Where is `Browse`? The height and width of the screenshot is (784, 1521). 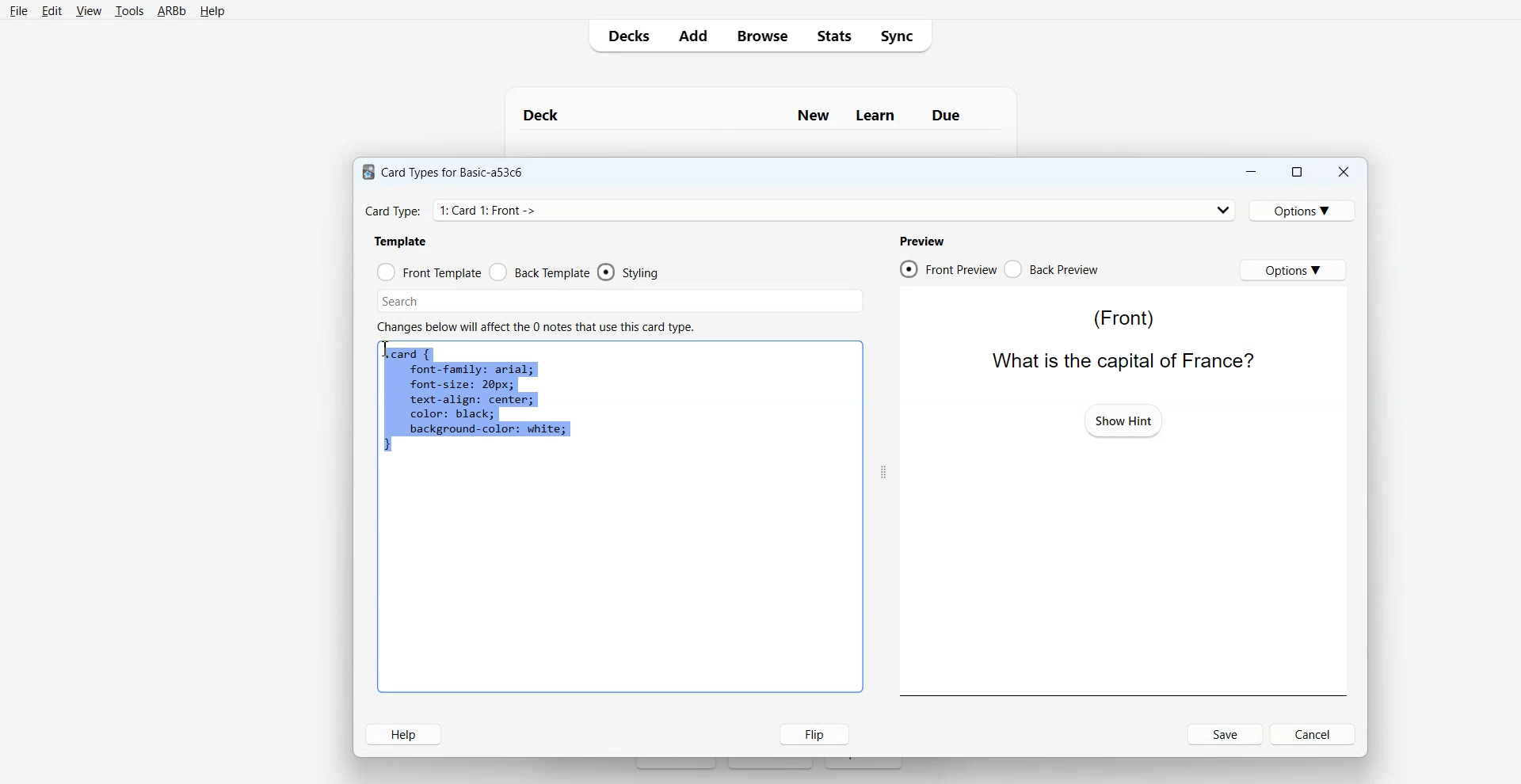 Browse is located at coordinates (761, 35).